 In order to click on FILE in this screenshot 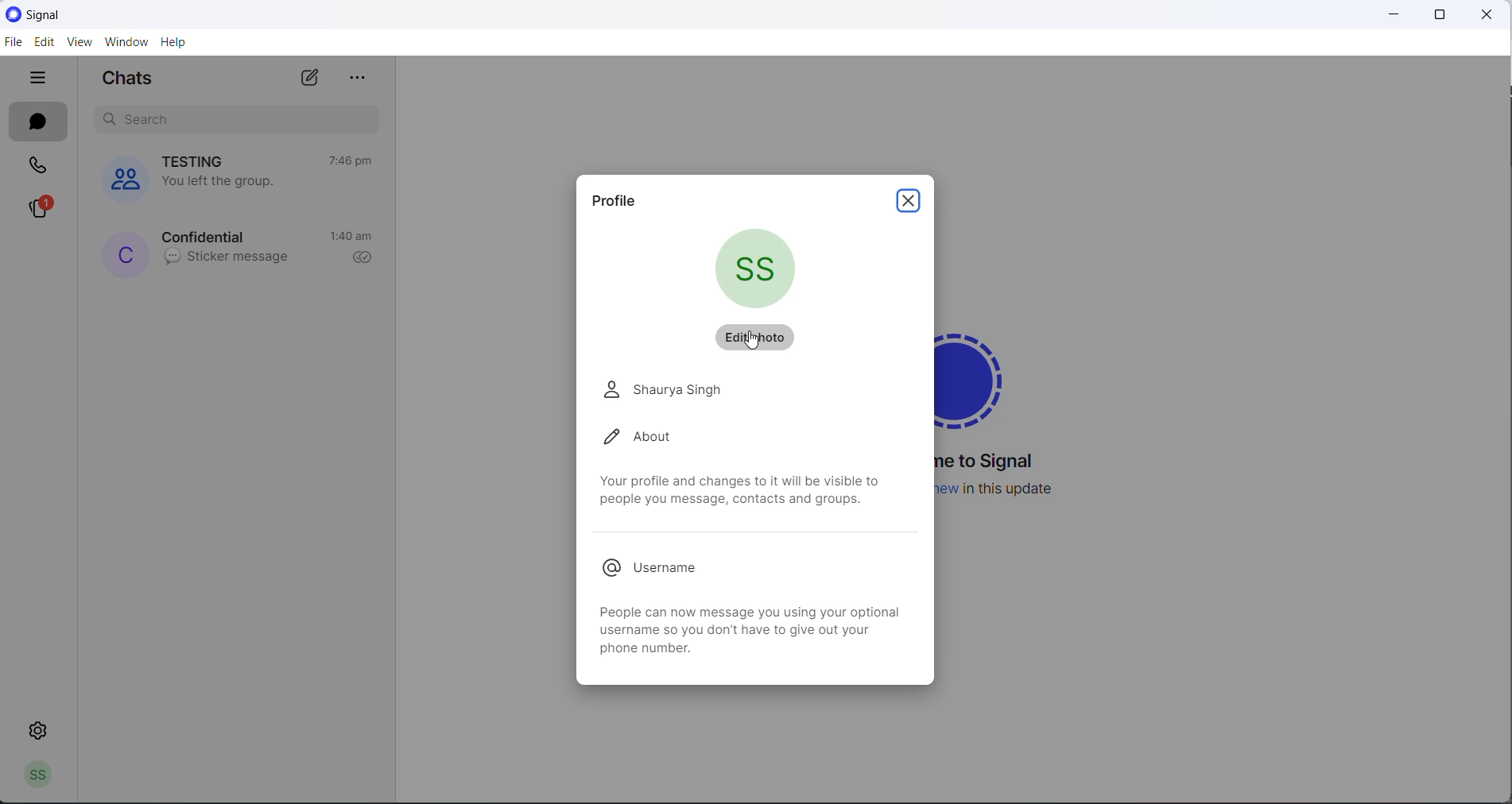, I will do `click(12, 41)`.